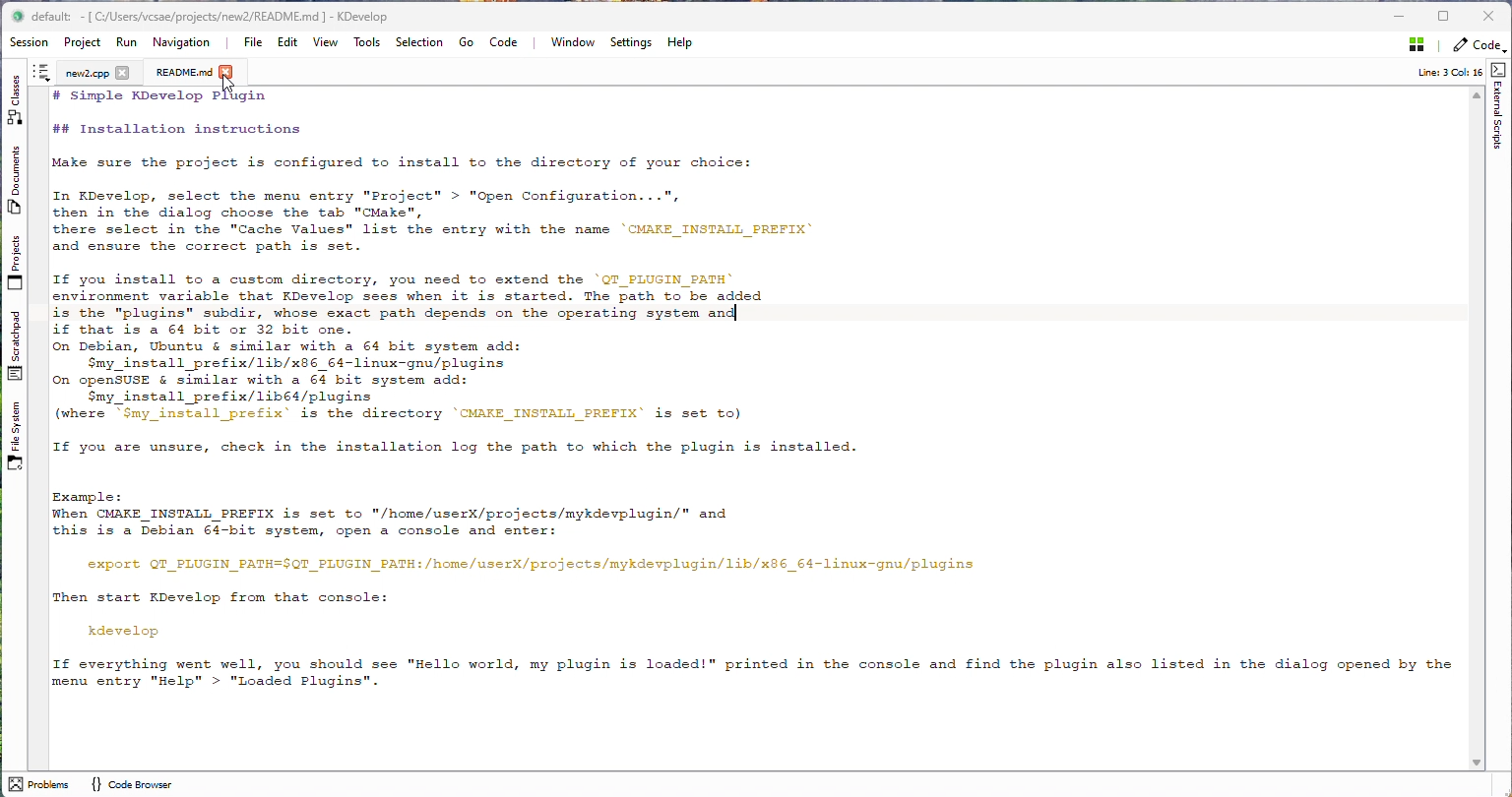 The width and height of the screenshot is (1512, 797). Describe the element at coordinates (183, 43) in the screenshot. I see `Navigation` at that location.